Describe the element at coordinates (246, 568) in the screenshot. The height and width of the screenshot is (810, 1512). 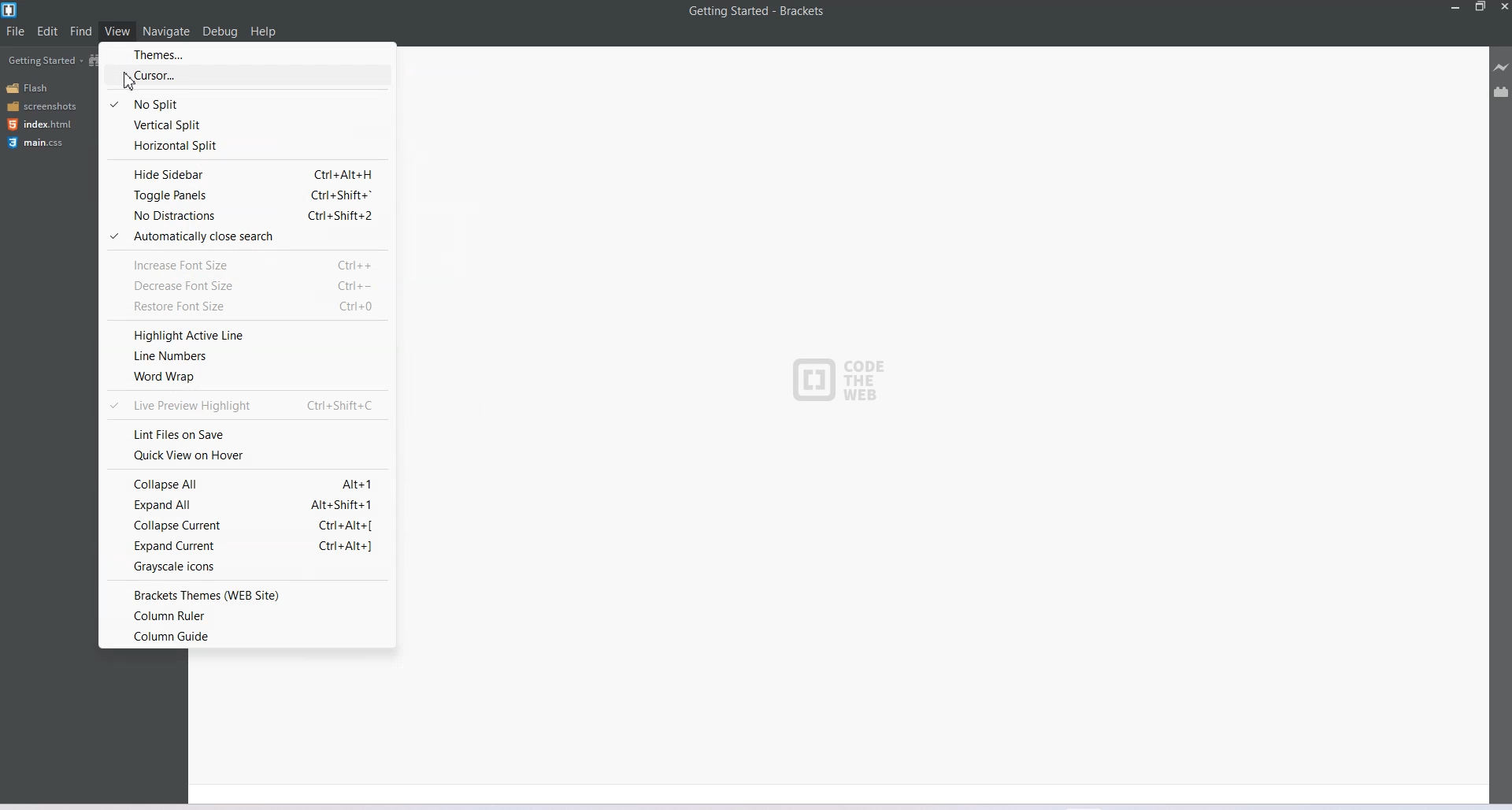
I see `Greyscale icons` at that location.